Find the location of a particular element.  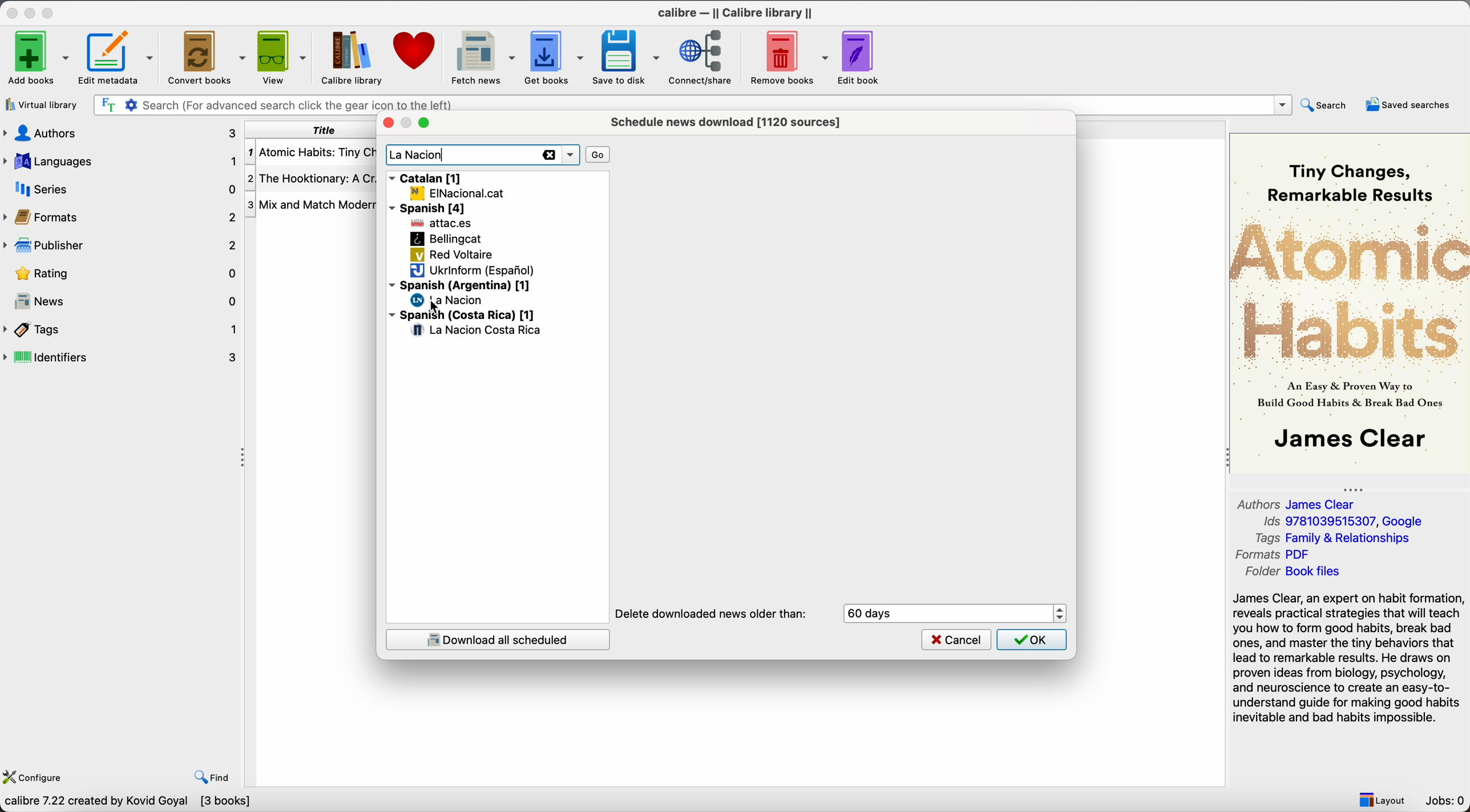

Jobs: 0 is located at coordinates (1446, 801).